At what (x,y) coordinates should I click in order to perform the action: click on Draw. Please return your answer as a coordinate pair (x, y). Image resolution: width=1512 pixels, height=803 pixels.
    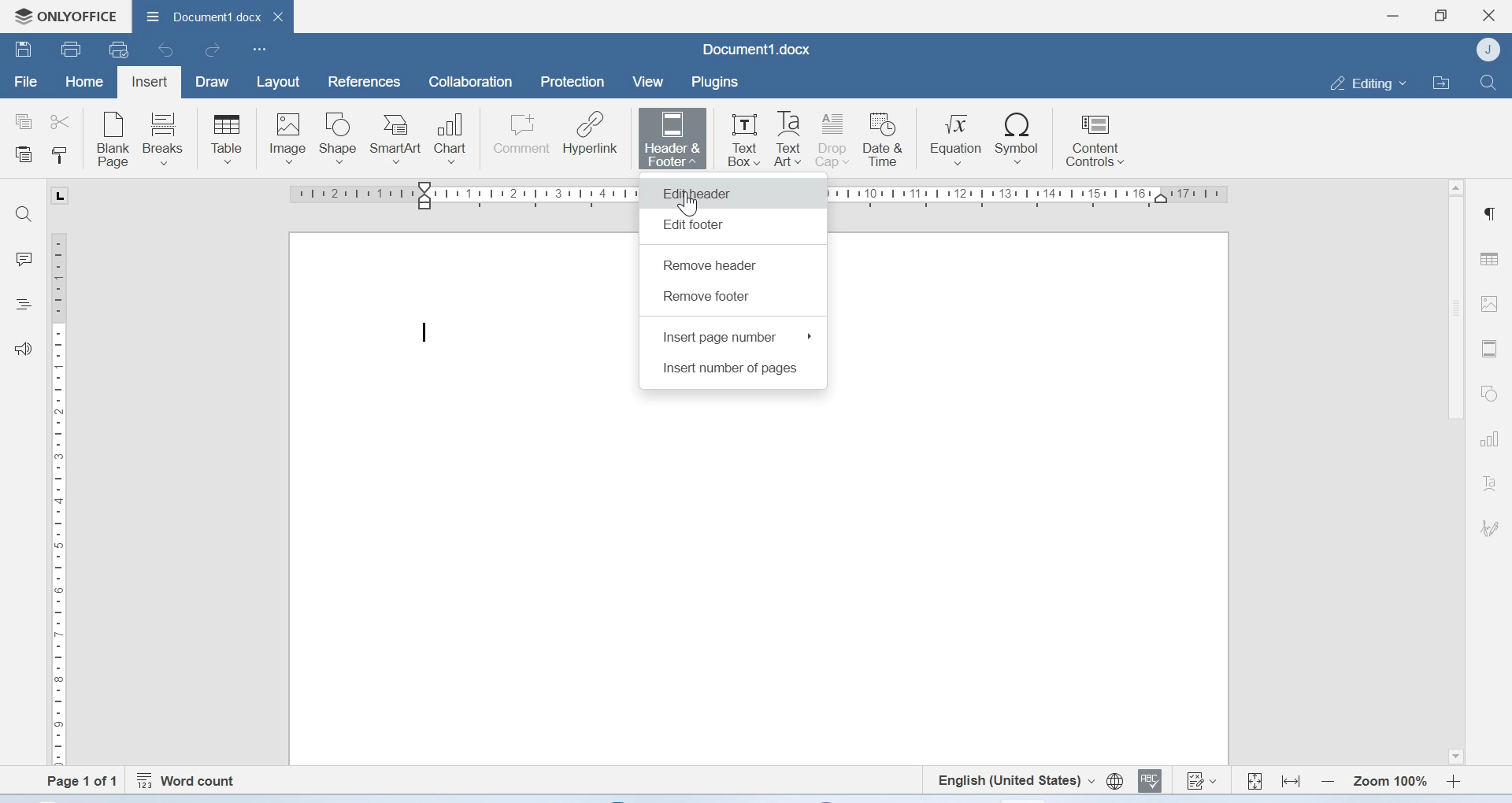
    Looking at the image, I should click on (216, 81).